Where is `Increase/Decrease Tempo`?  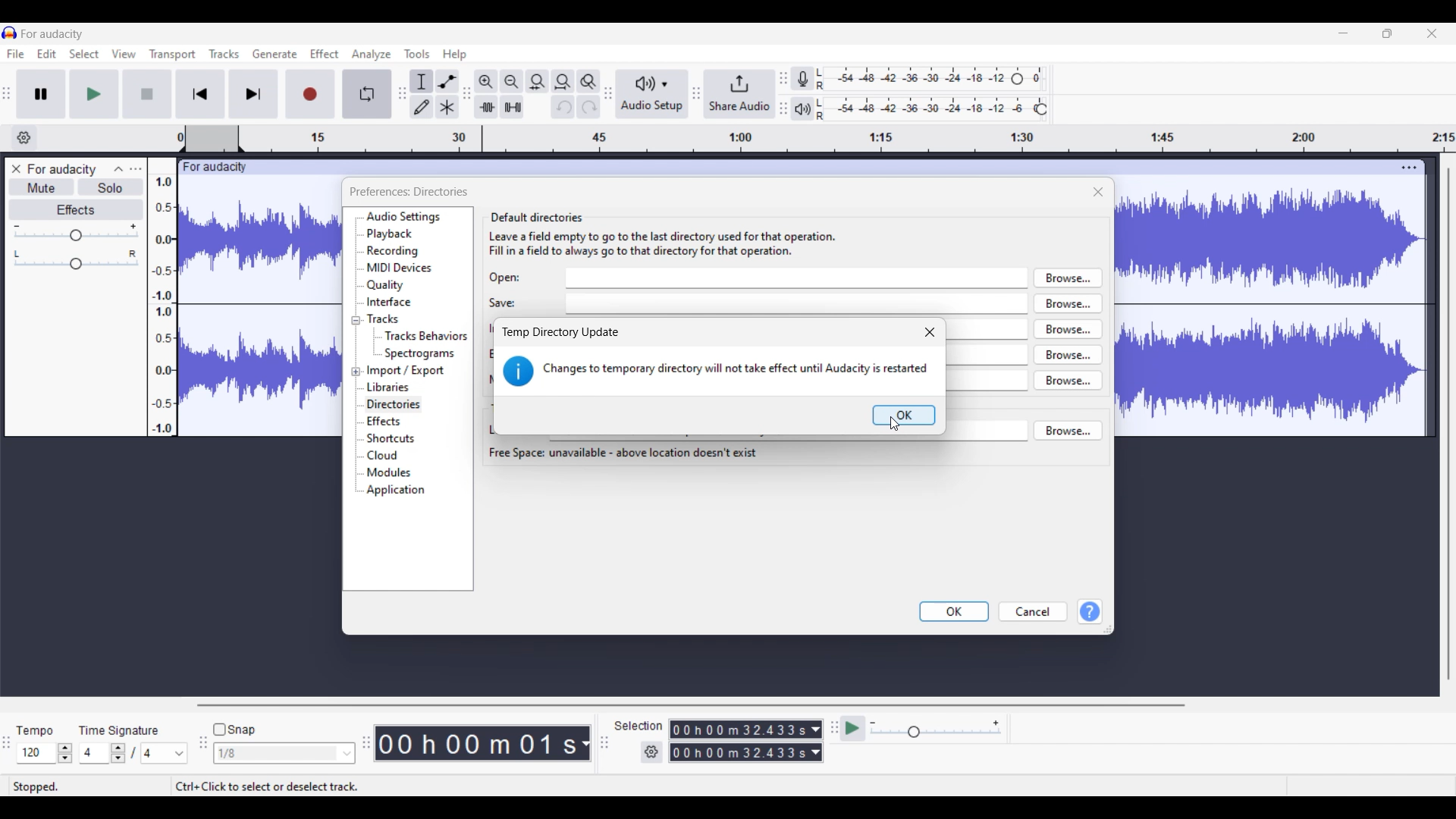 Increase/Decrease Tempo is located at coordinates (65, 753).